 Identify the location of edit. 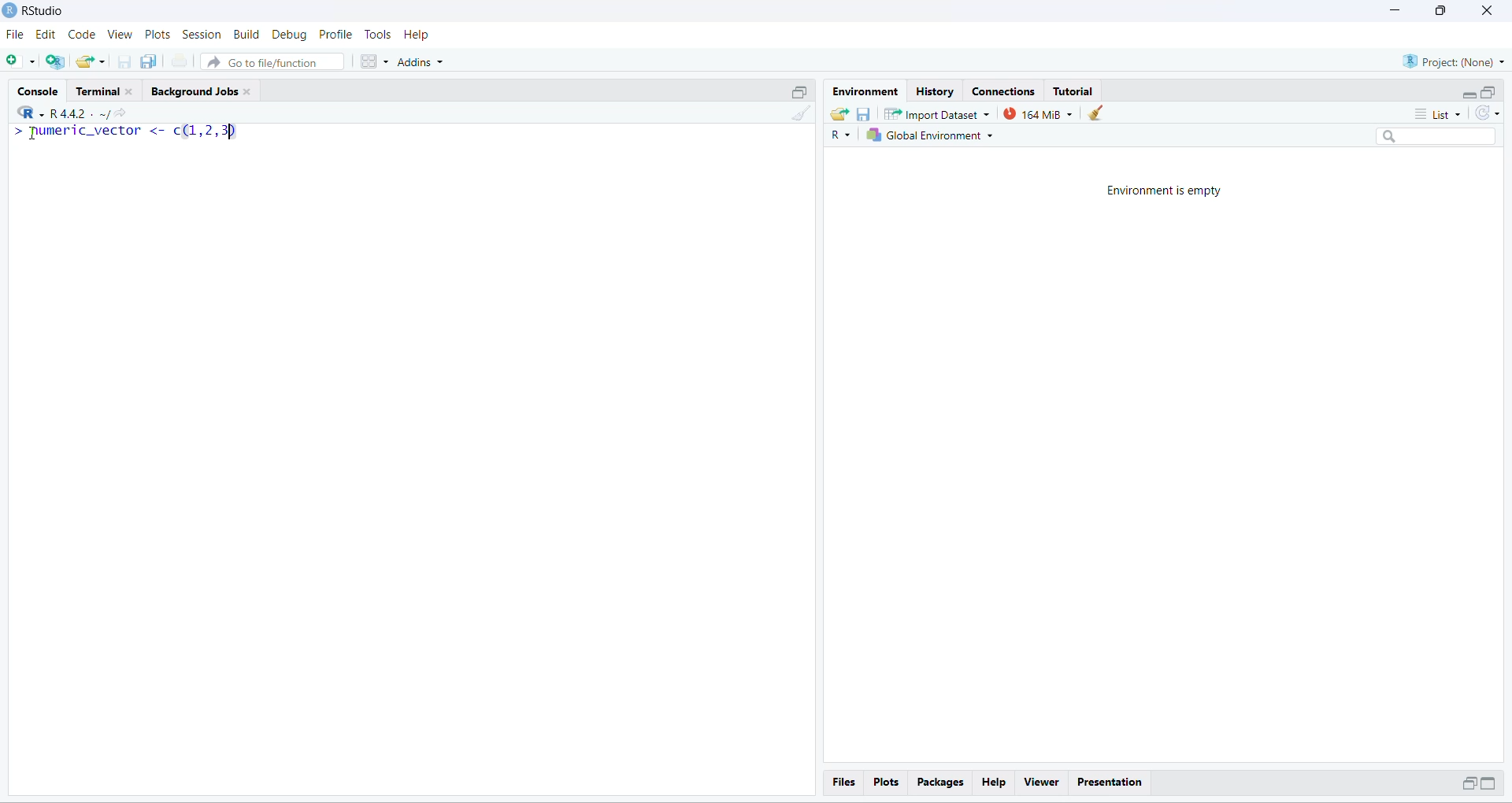
(45, 35).